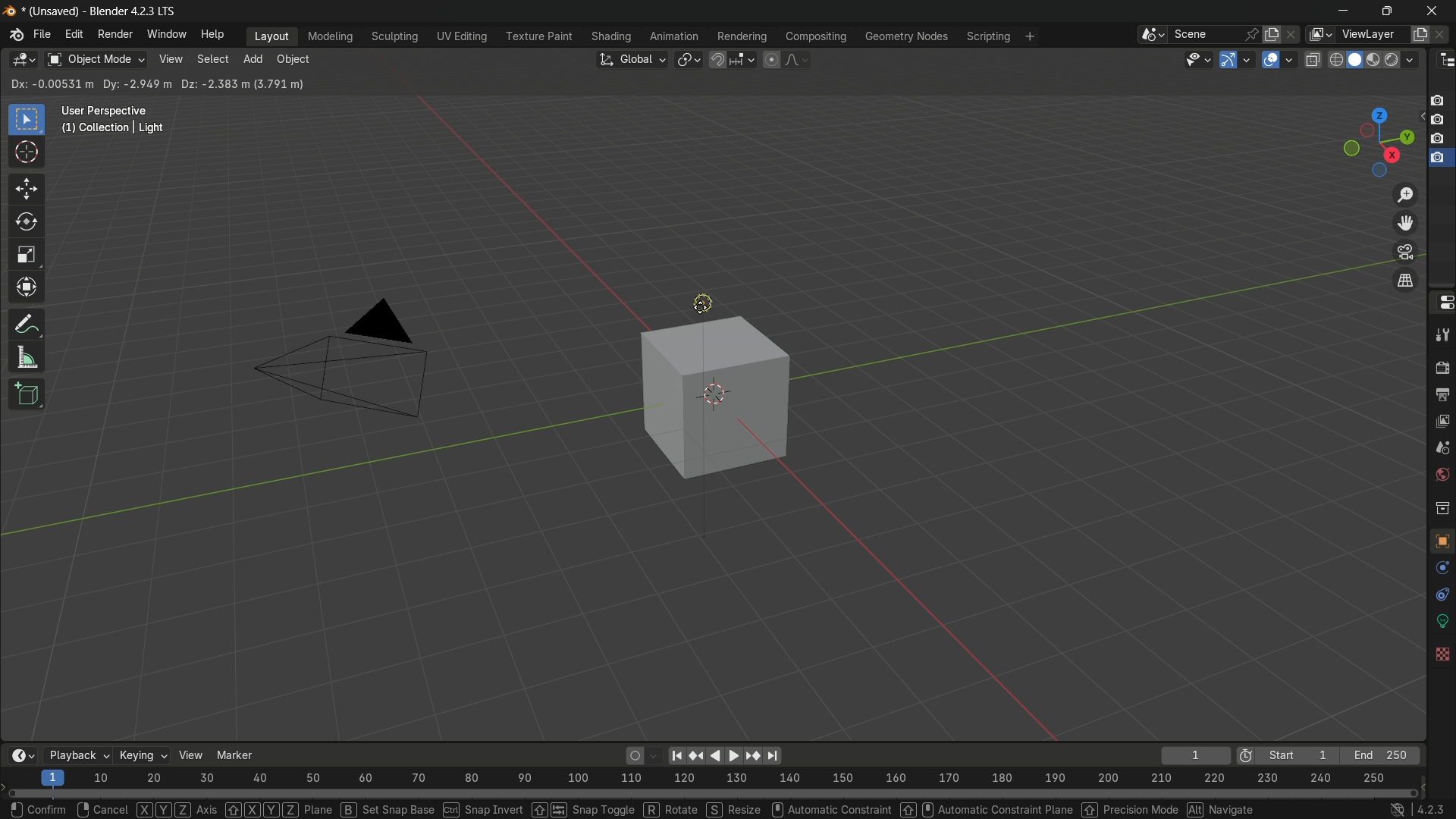  I want to click on Rotate, so click(668, 809).